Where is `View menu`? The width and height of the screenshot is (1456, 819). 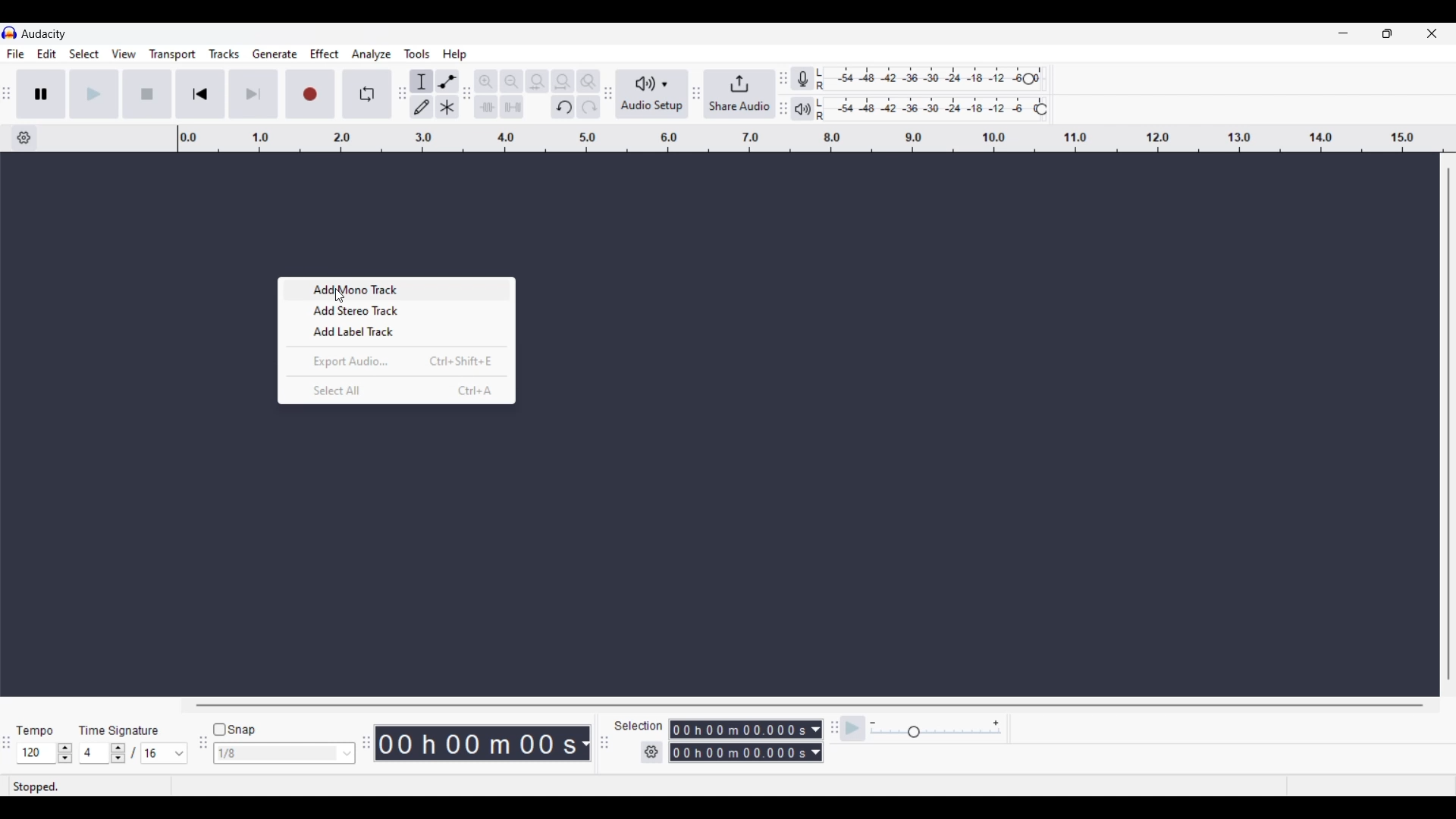
View menu is located at coordinates (124, 54).